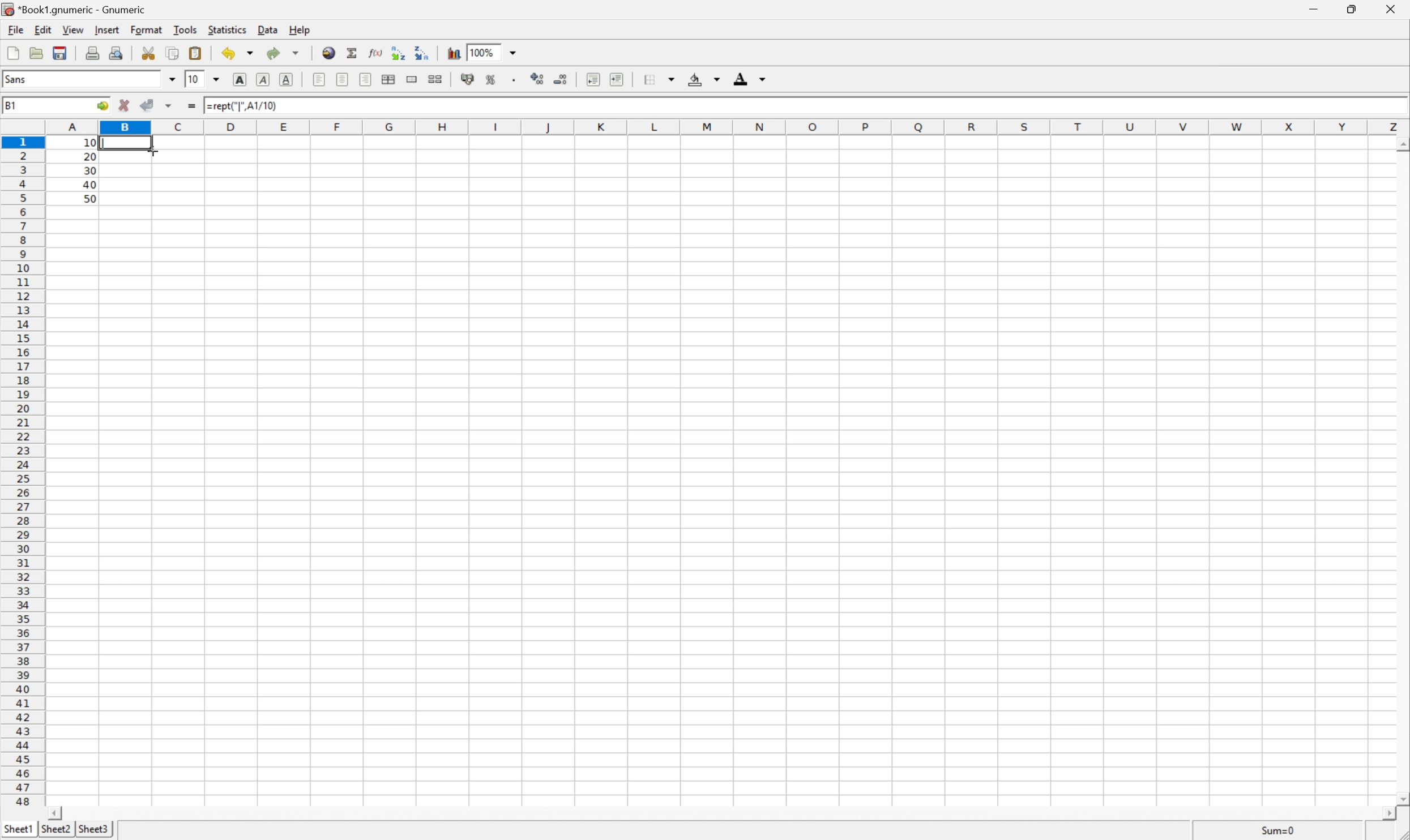 The width and height of the screenshot is (1410, 840). I want to click on Sheet2, so click(57, 830).